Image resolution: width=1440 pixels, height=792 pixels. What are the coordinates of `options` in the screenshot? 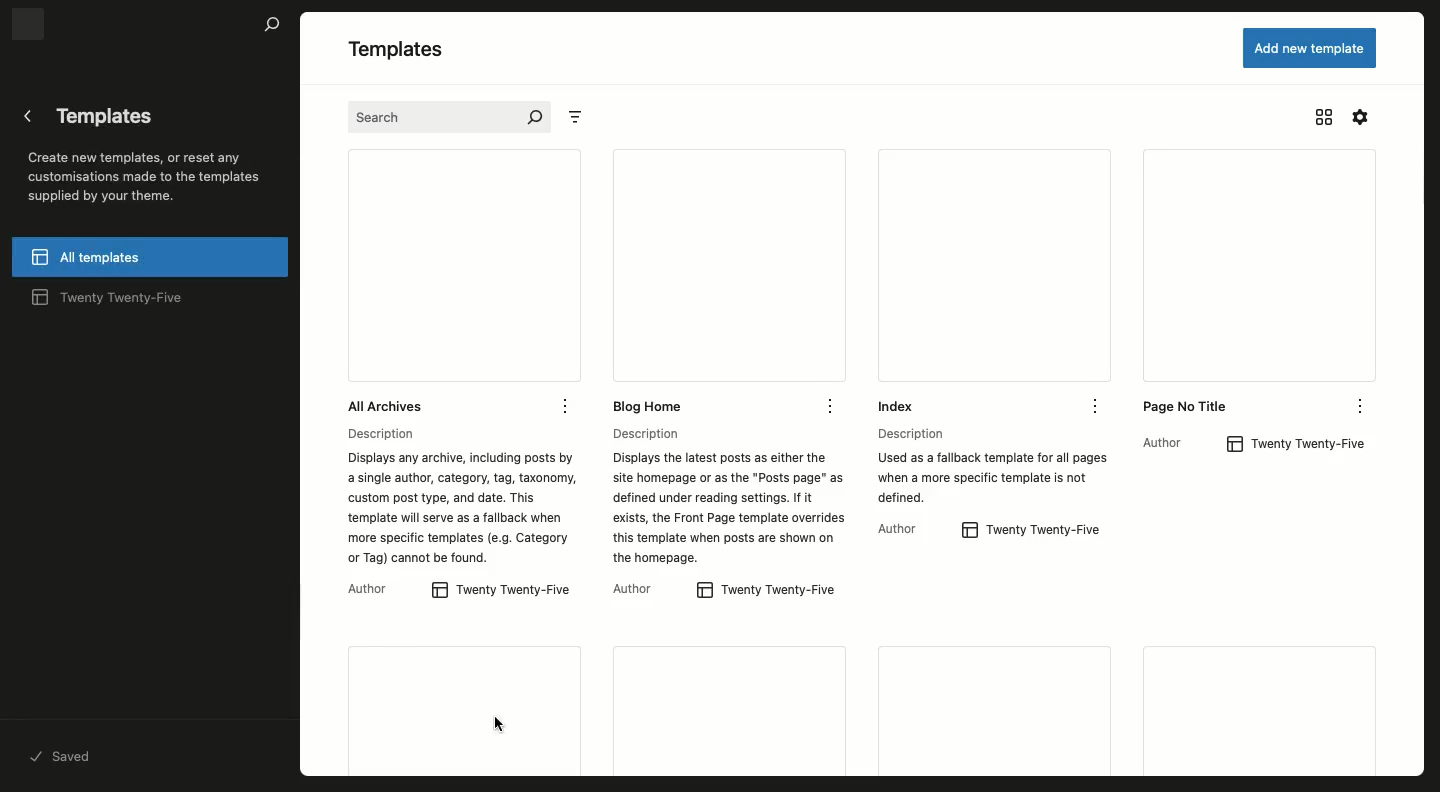 It's located at (1097, 407).